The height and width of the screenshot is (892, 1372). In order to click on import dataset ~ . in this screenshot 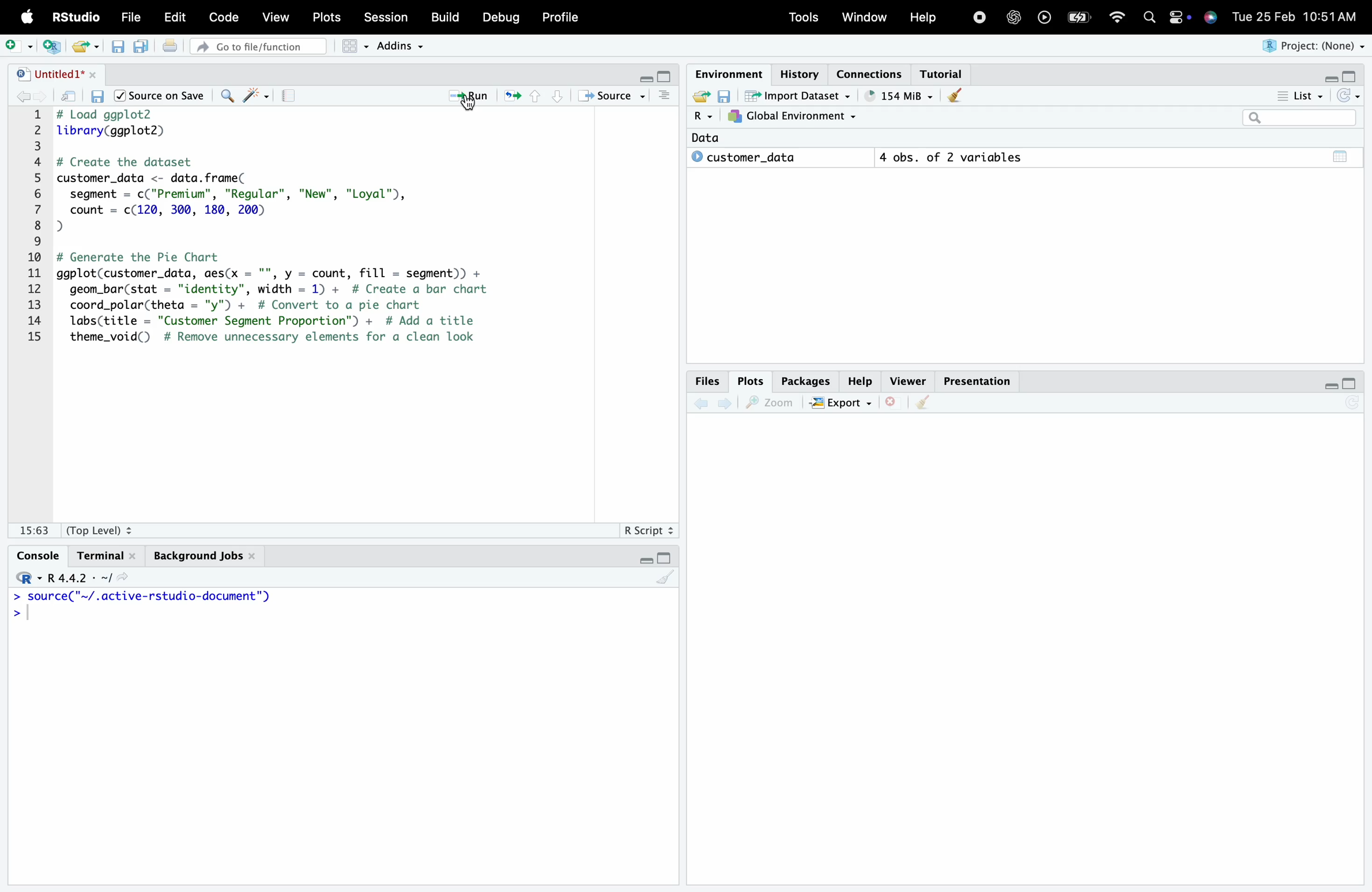, I will do `click(802, 95)`.